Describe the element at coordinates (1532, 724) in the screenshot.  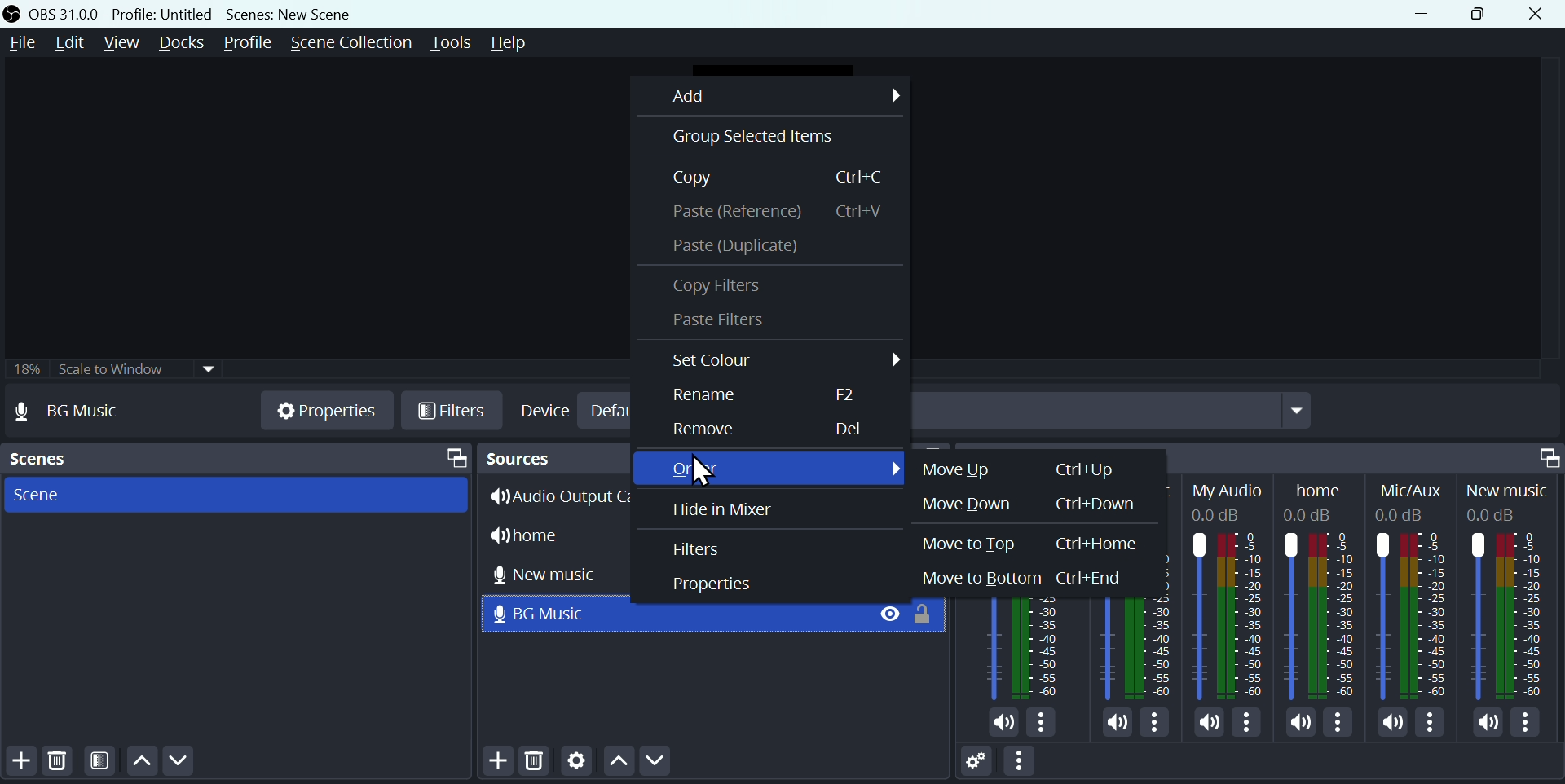
I see `more` at that location.